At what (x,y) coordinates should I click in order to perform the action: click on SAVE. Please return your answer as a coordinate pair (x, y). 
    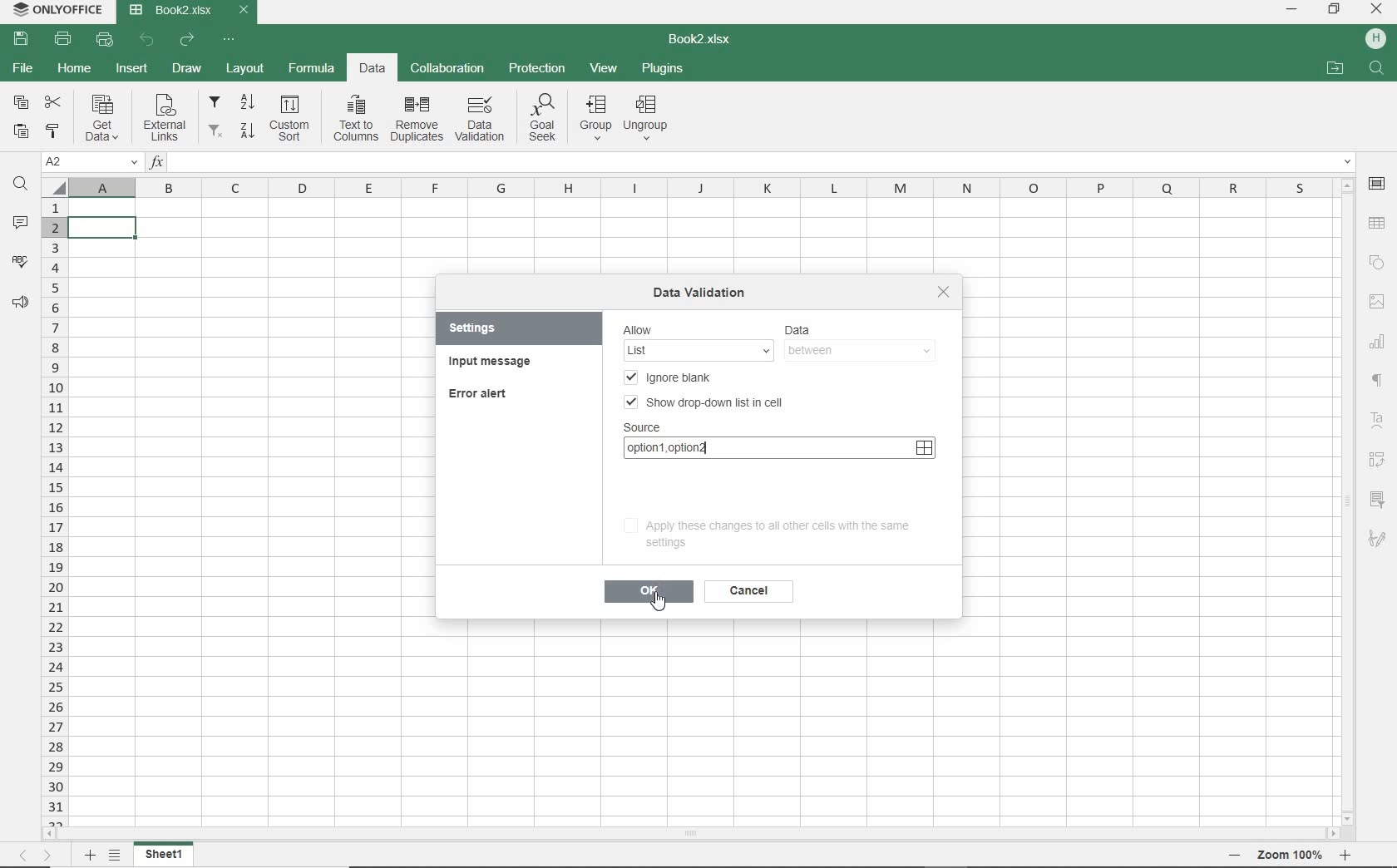
    Looking at the image, I should click on (19, 38).